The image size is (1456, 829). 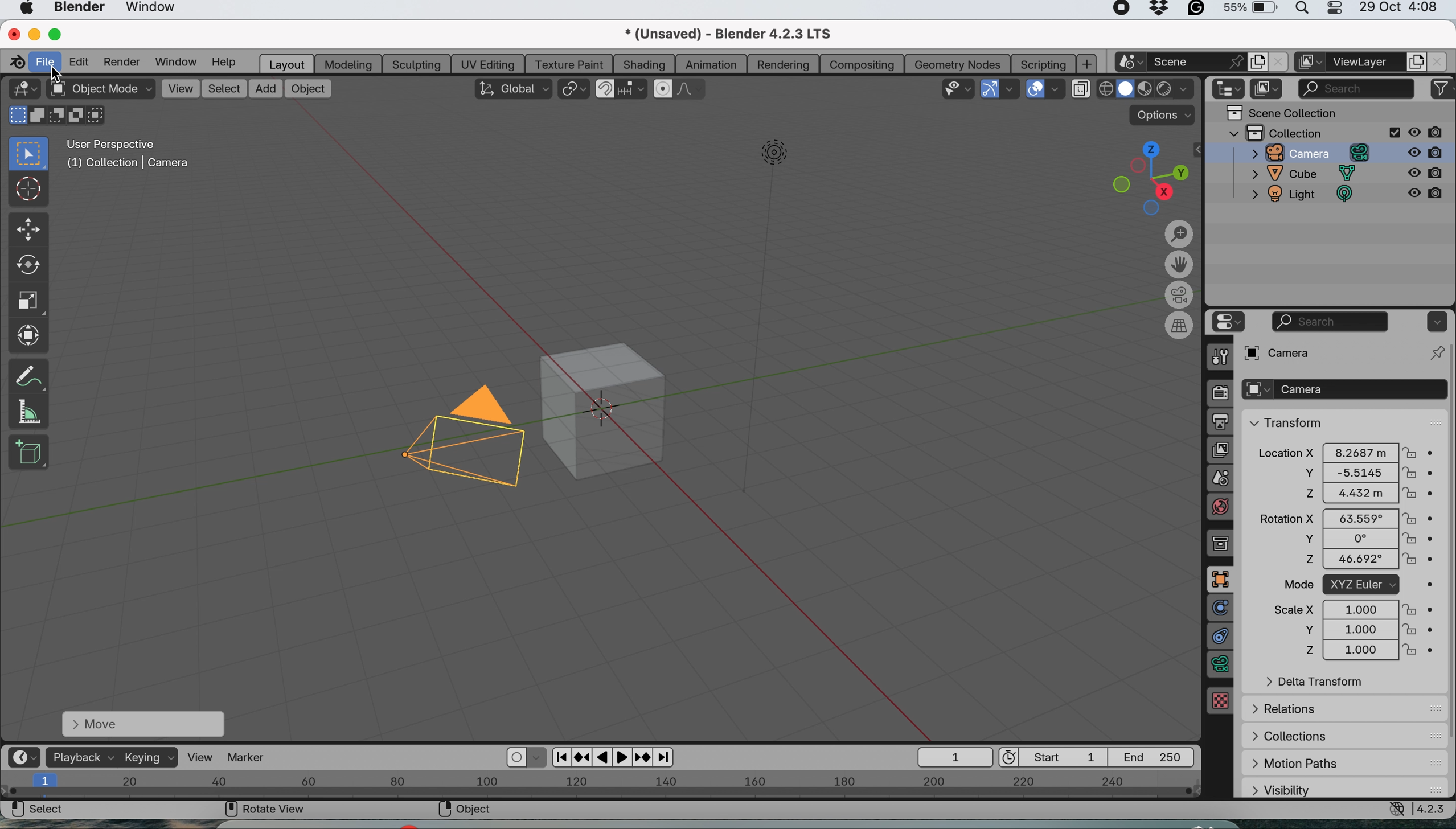 What do you see at coordinates (1425, 198) in the screenshot?
I see `disable in render` at bounding box center [1425, 198].